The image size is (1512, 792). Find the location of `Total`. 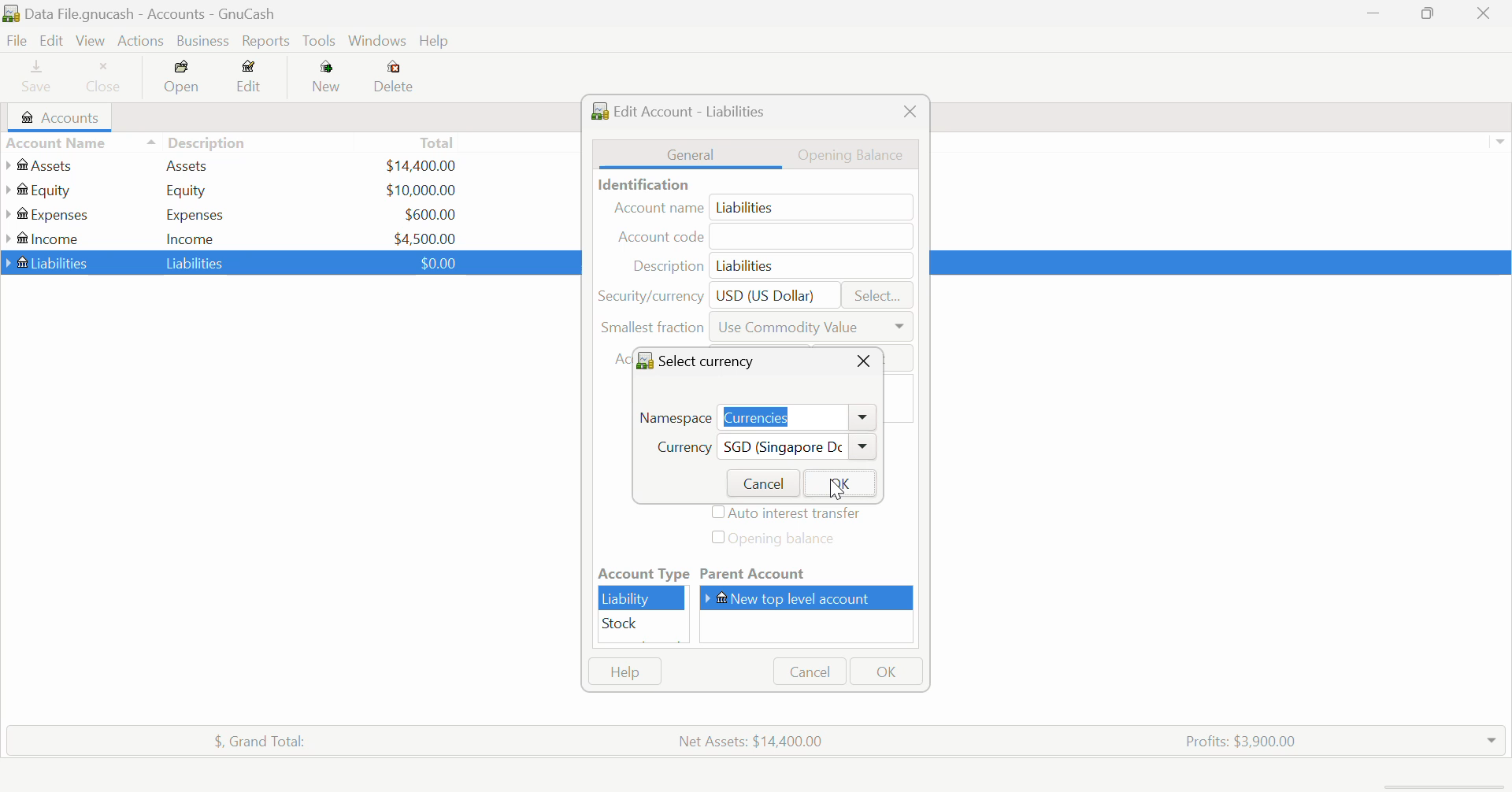

Total is located at coordinates (251, 738).